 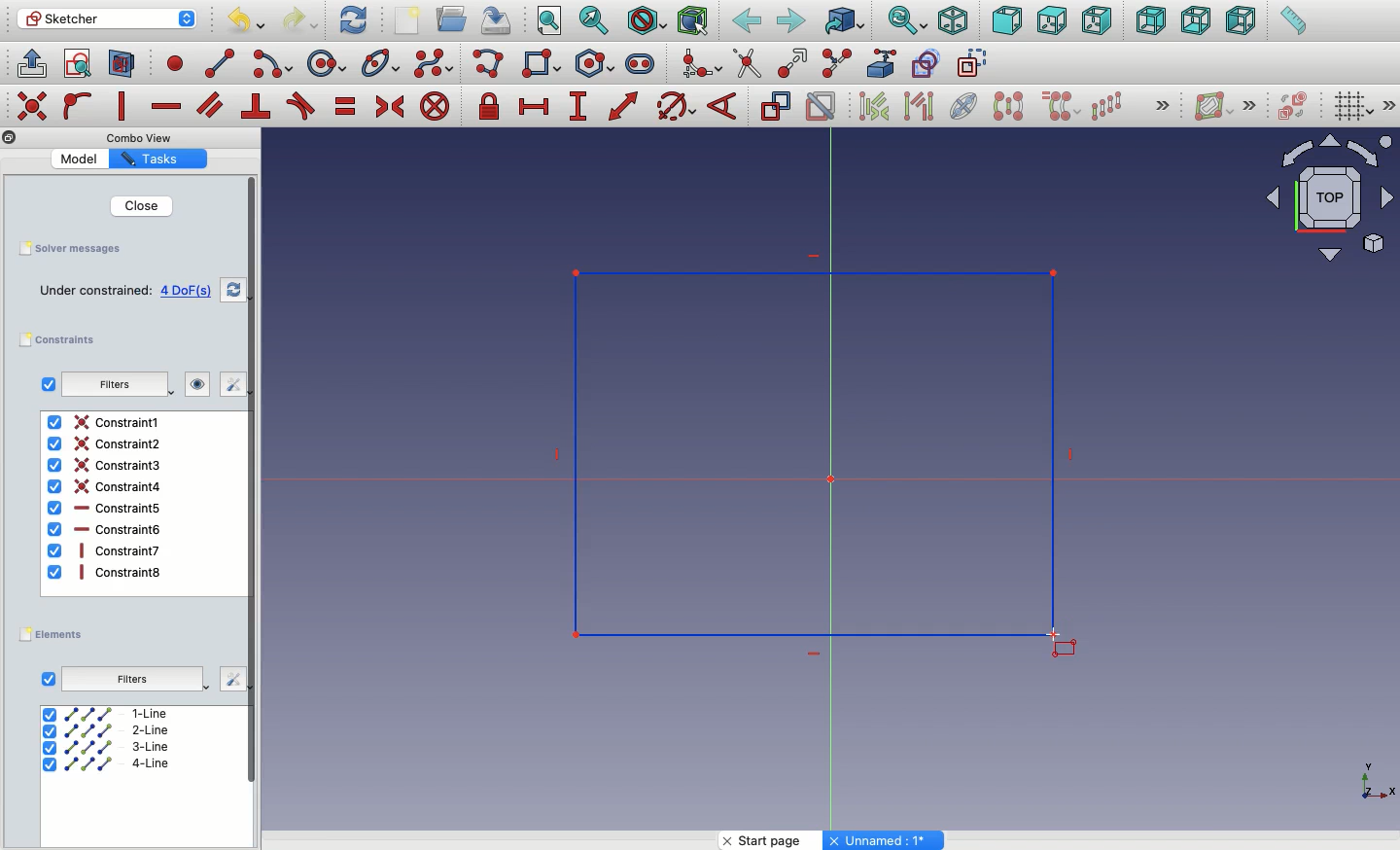 I want to click on External geometry, so click(x=880, y=63).